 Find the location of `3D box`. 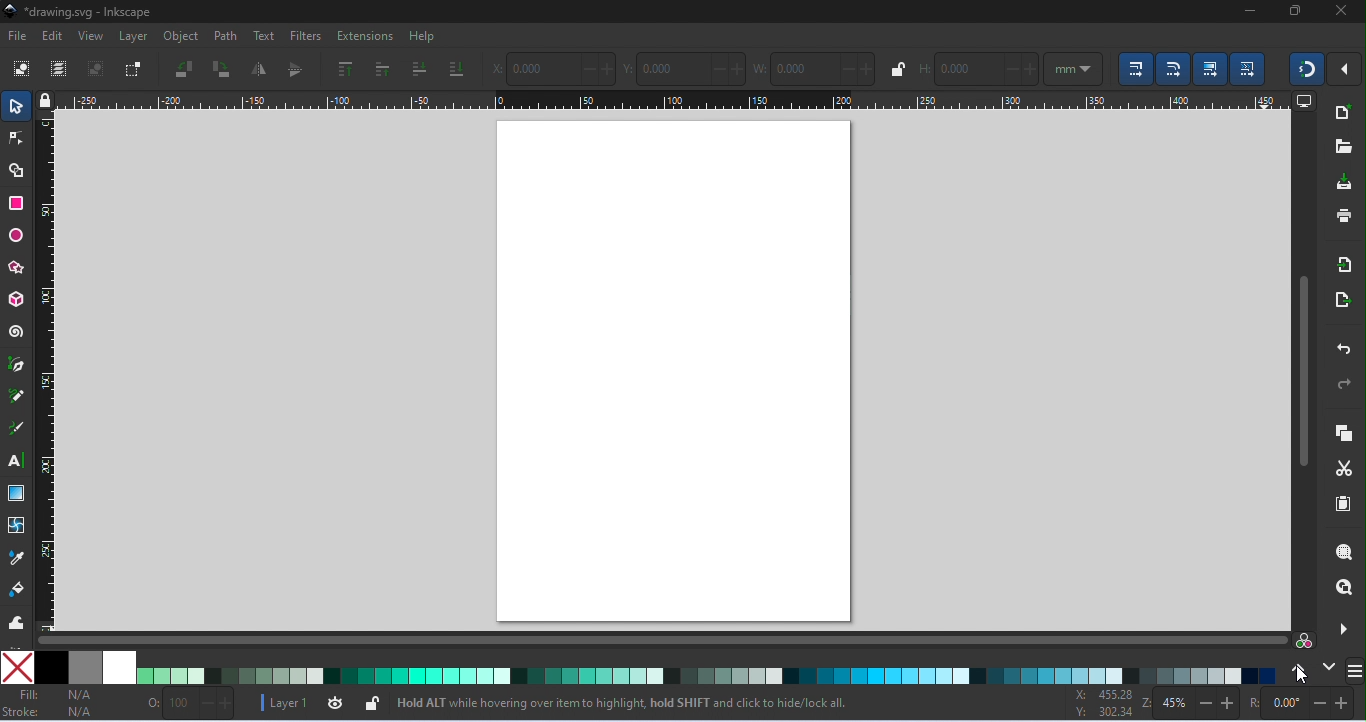

3D box is located at coordinates (18, 299).